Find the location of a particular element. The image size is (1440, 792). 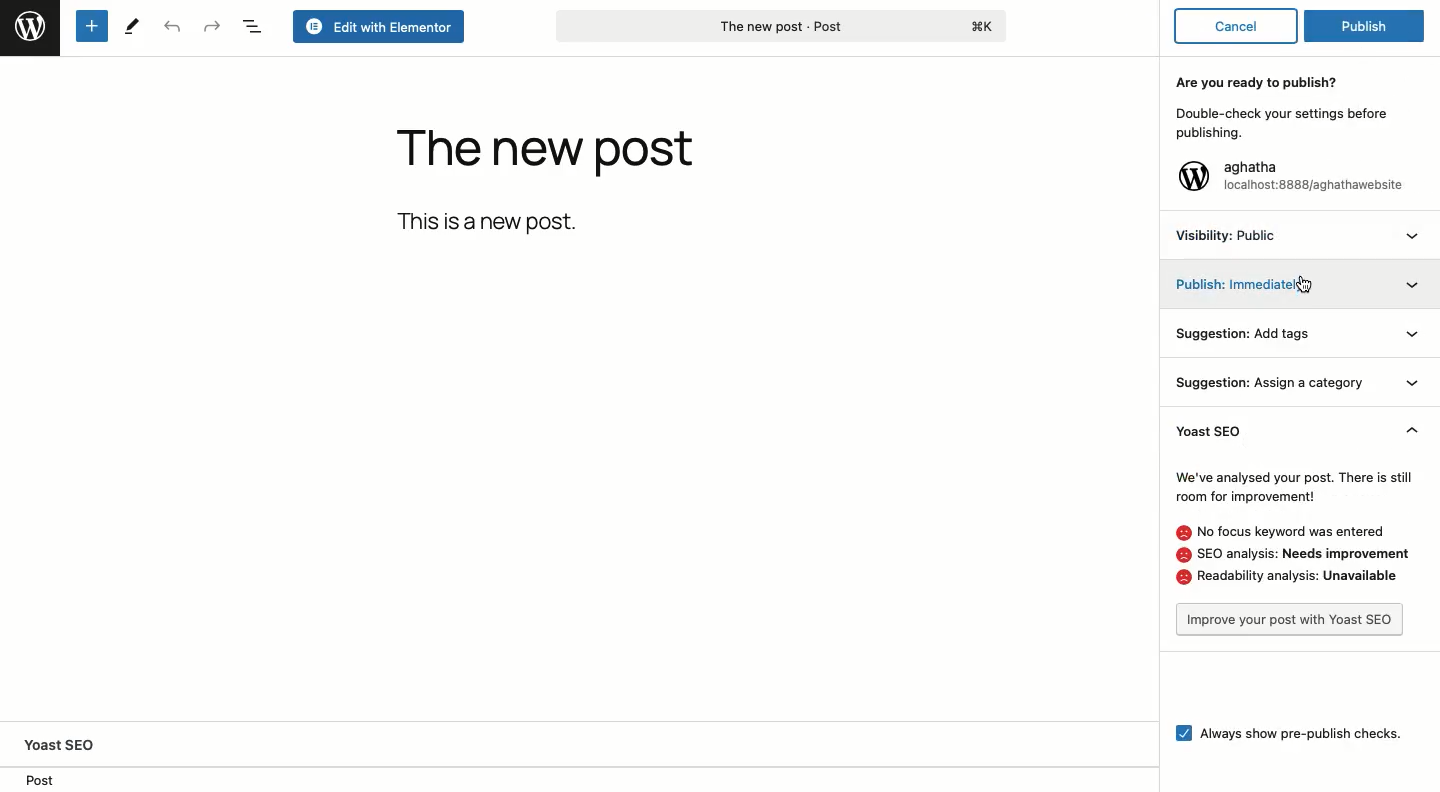

Are you ready to publish? is located at coordinates (1258, 83).